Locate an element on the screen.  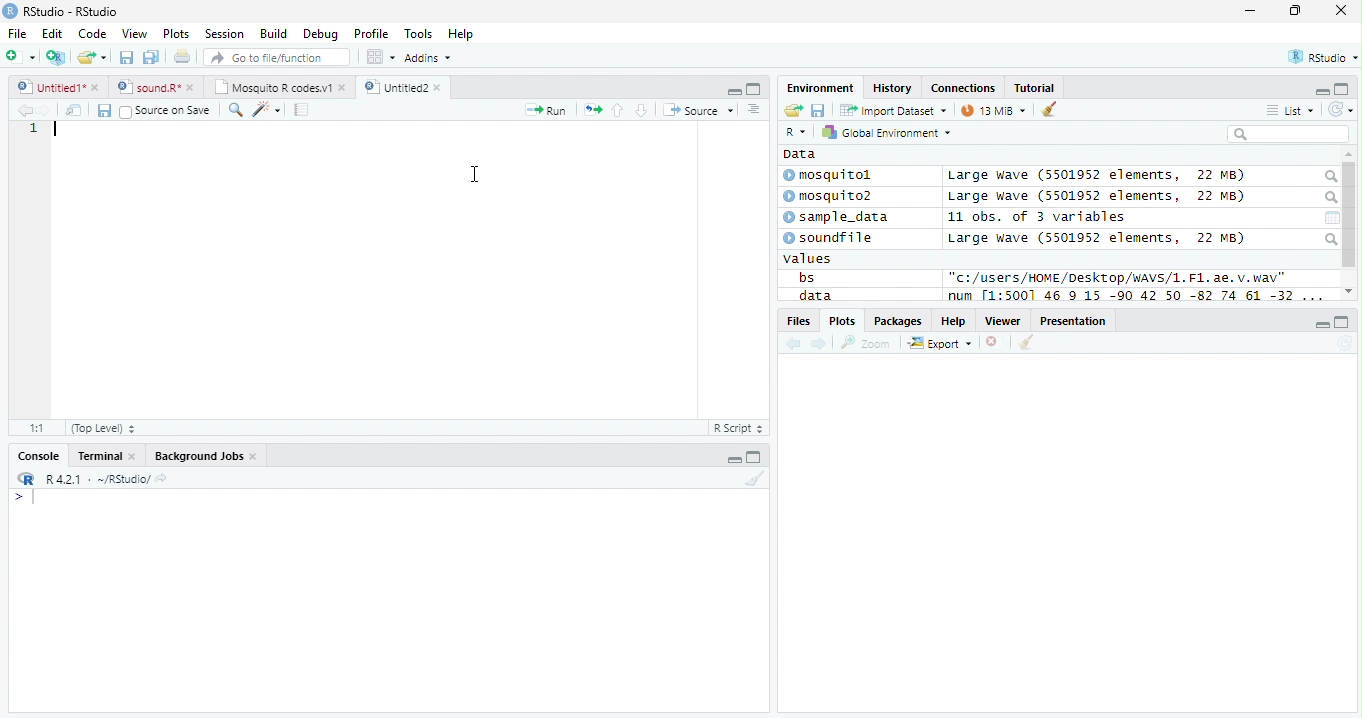
Refresh is located at coordinates (1344, 344).